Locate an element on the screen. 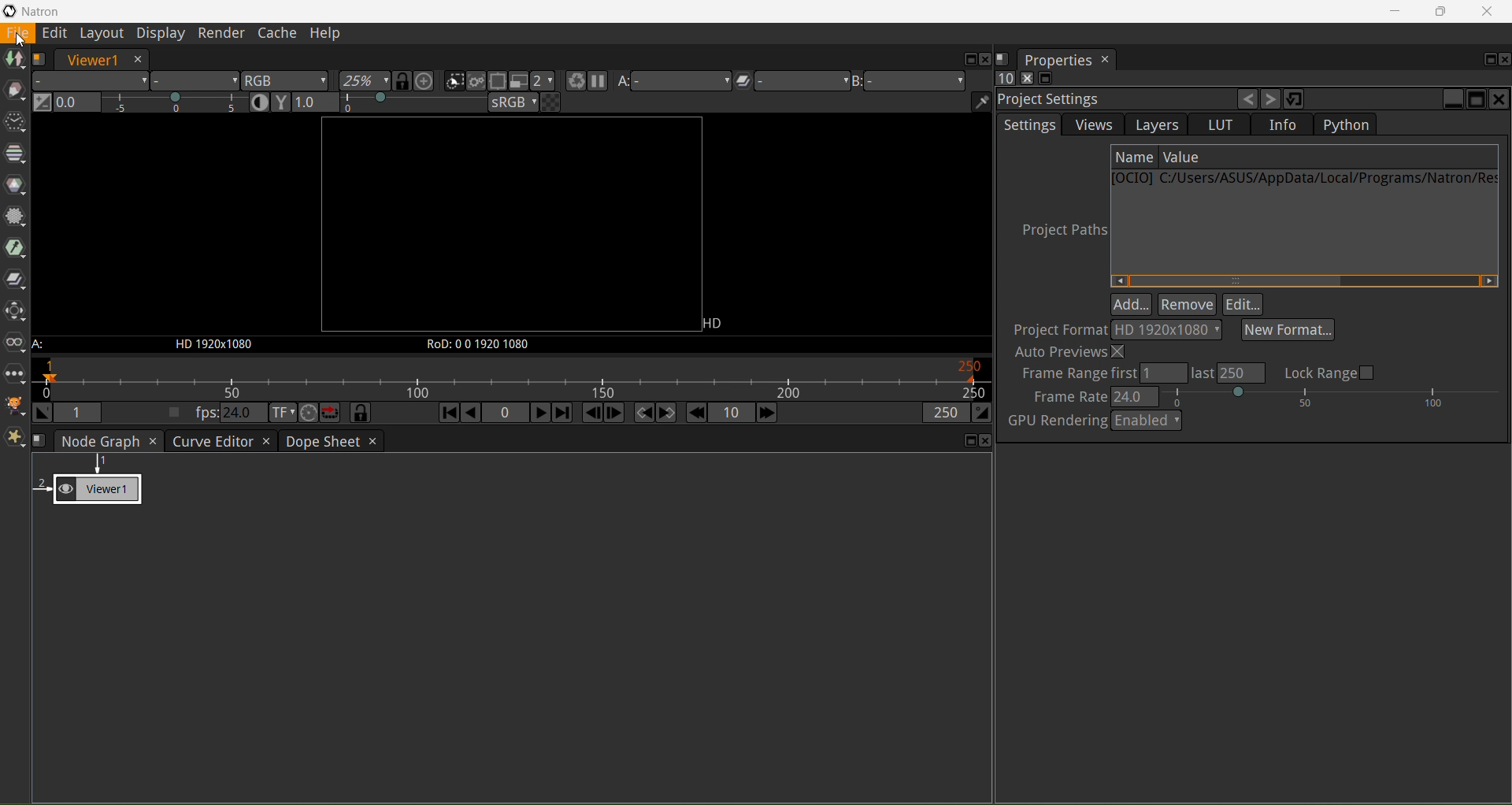  Set the time display format is located at coordinates (283, 414).